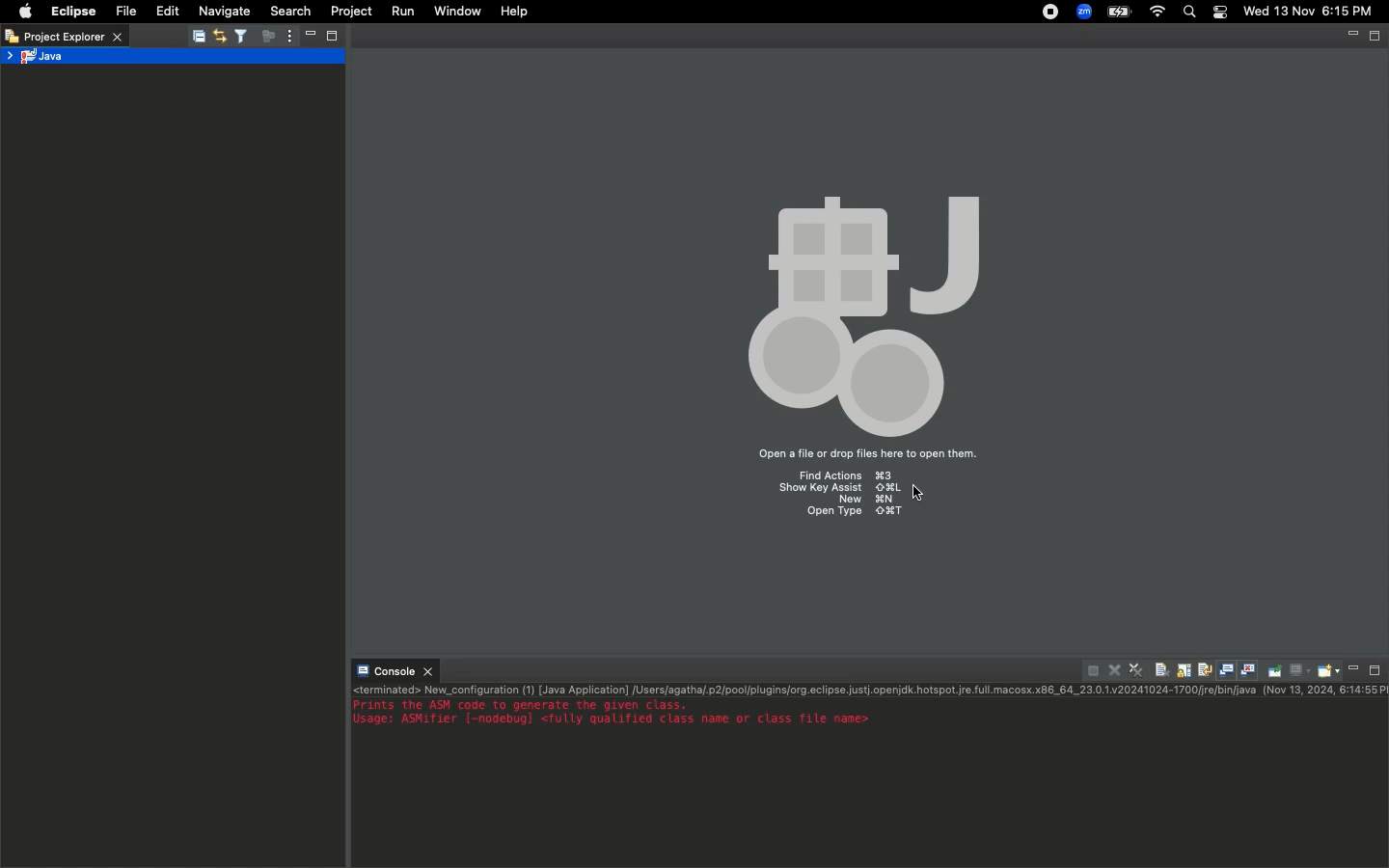 This screenshot has width=1389, height=868. I want to click on Project, so click(348, 14).